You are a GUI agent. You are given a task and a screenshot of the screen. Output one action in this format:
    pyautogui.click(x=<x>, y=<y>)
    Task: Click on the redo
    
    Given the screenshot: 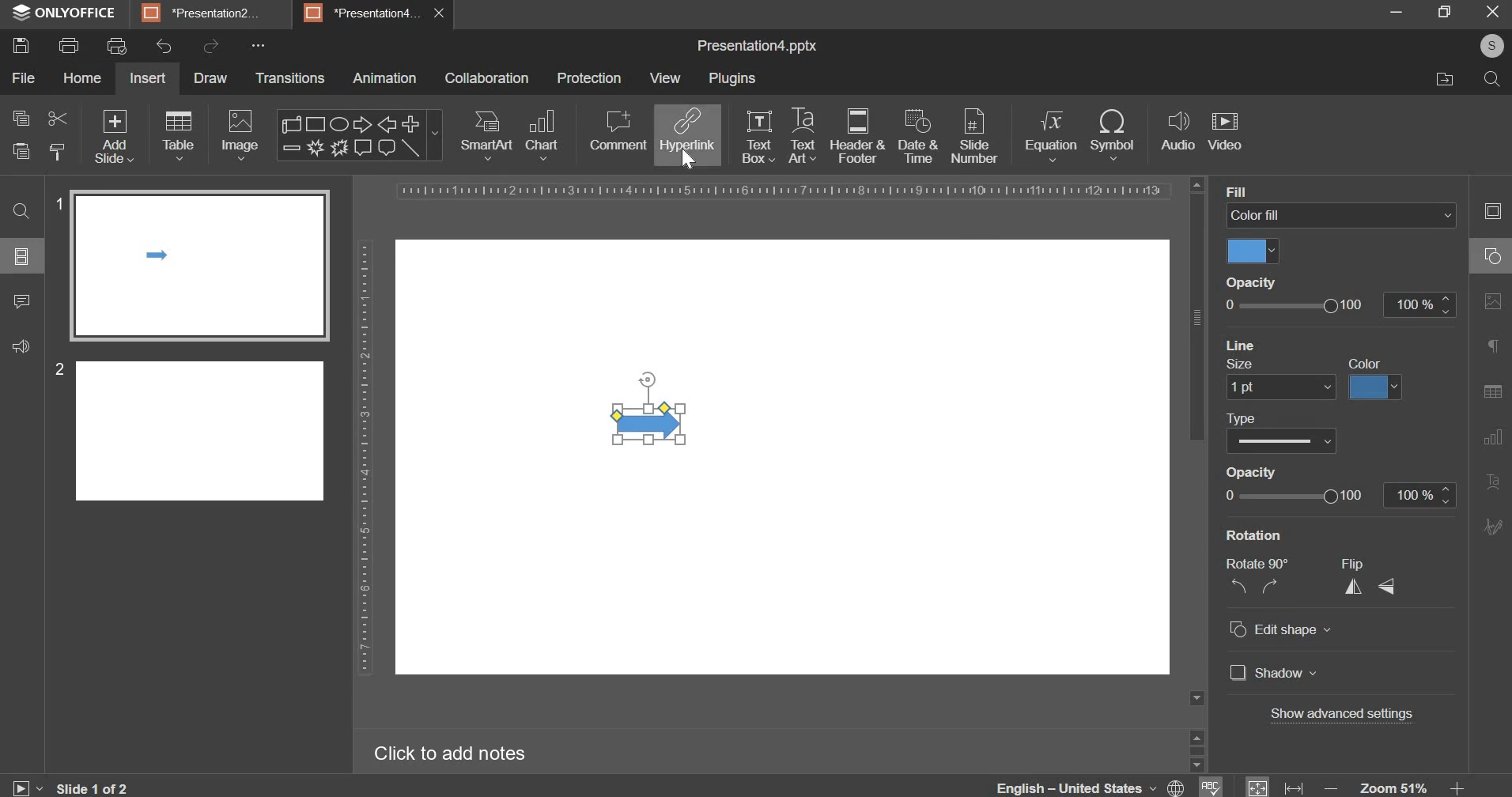 What is the action you would take?
    pyautogui.click(x=211, y=46)
    